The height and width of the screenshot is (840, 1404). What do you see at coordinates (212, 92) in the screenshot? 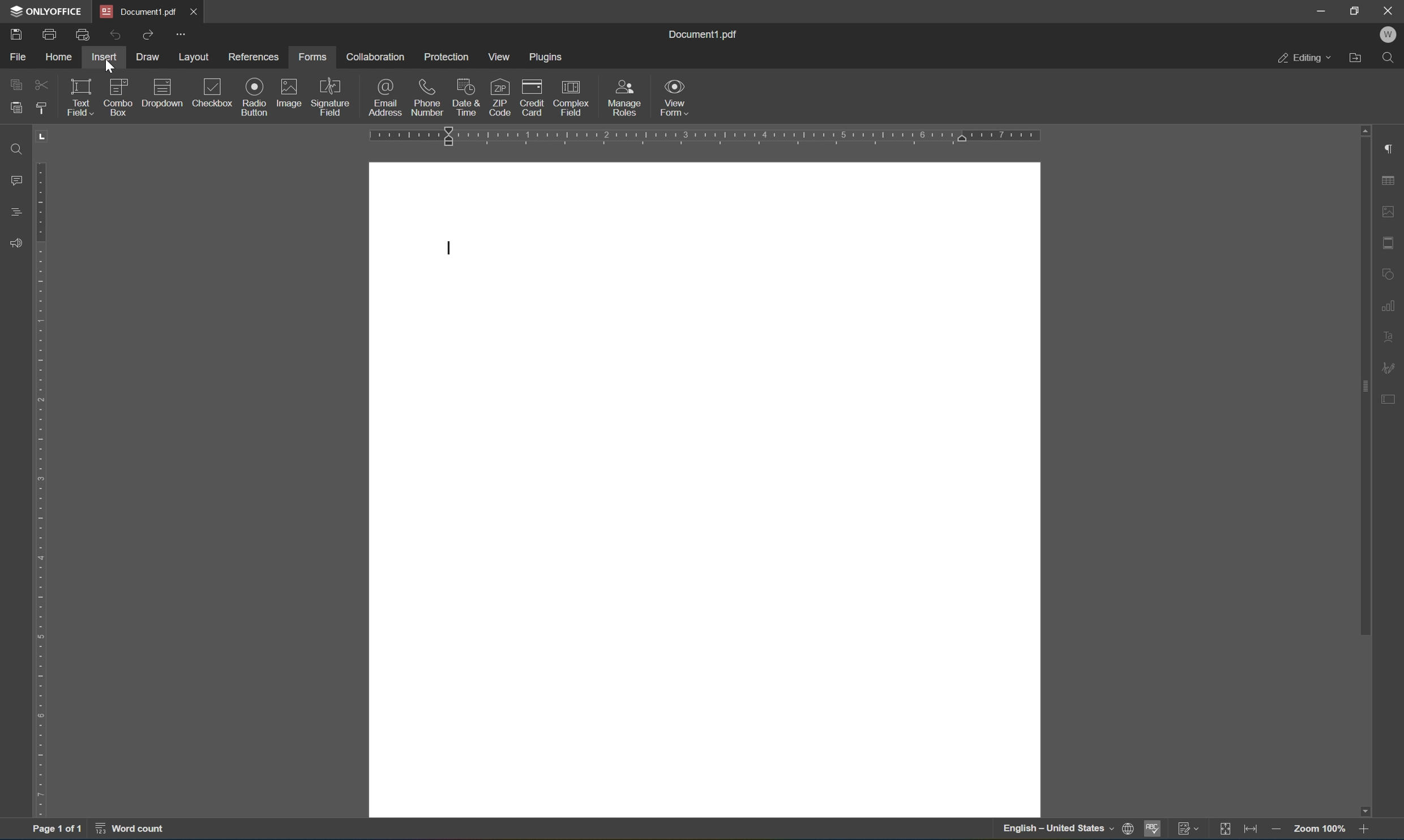
I see `checkbox` at bounding box center [212, 92].